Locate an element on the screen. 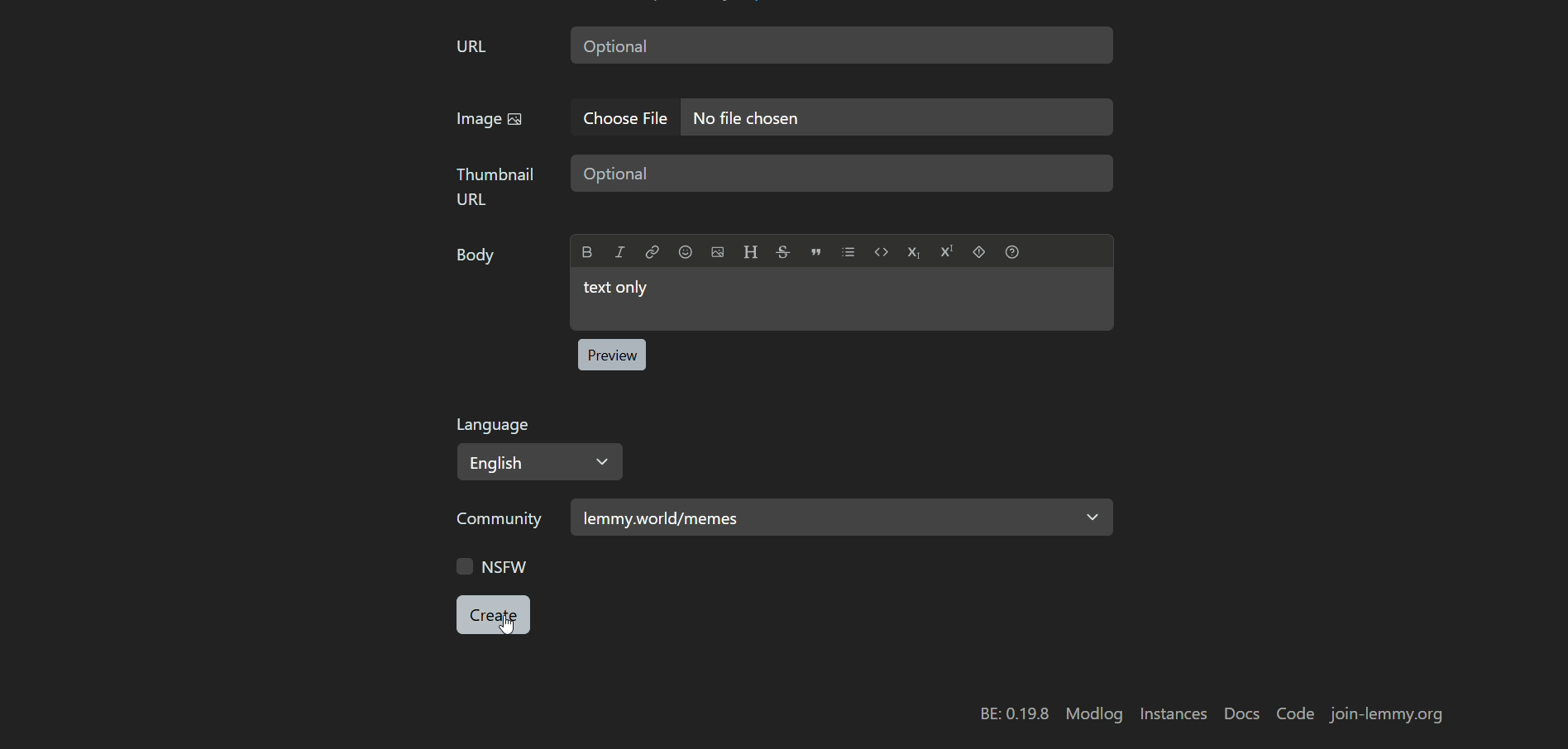 Image resolution: width=1568 pixels, height=749 pixels. button is located at coordinates (494, 614).